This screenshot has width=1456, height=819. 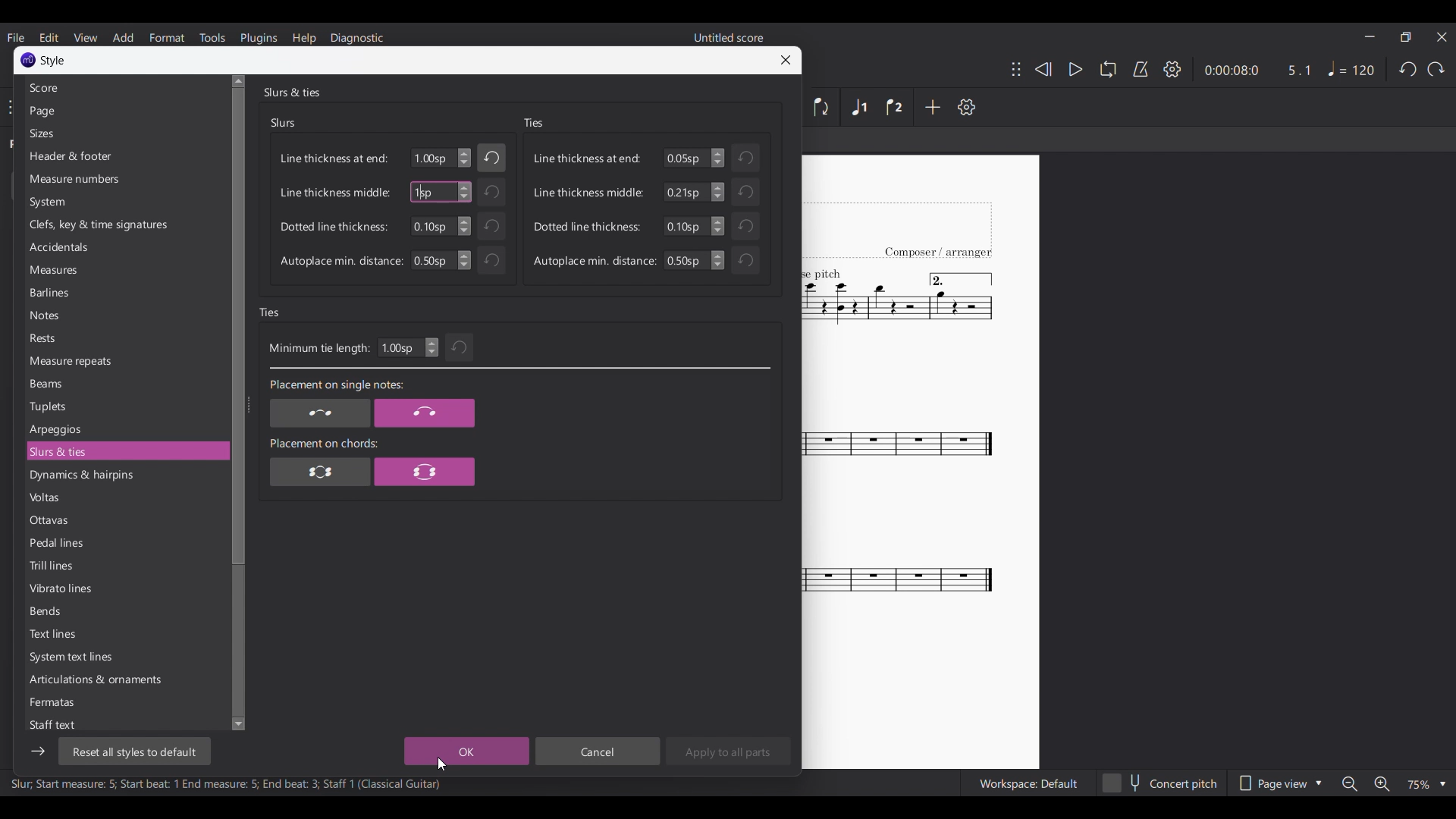 What do you see at coordinates (1351, 69) in the screenshot?
I see `Tempo` at bounding box center [1351, 69].